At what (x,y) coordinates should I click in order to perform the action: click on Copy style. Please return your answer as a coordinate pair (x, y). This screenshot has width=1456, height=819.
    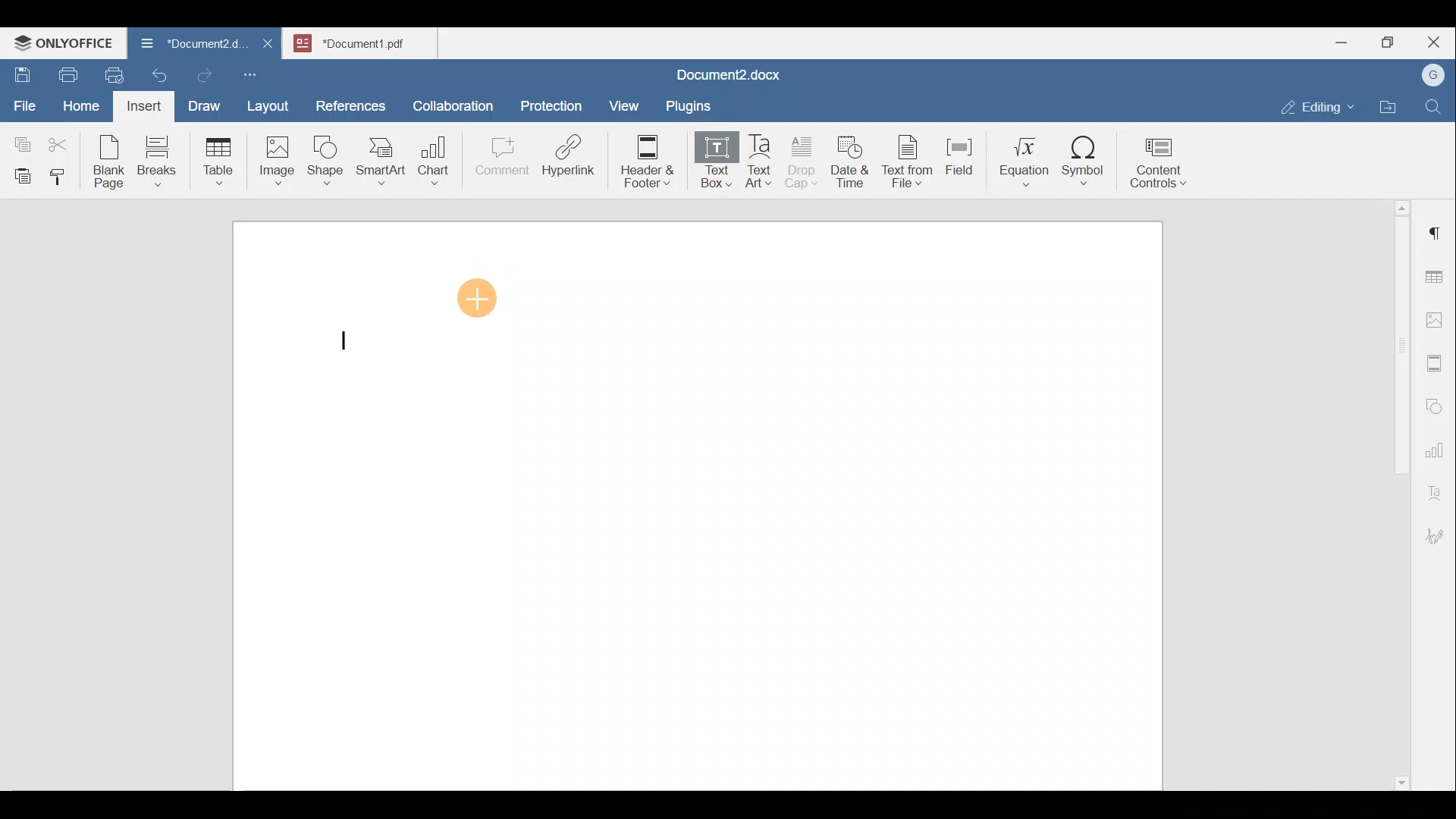
    Looking at the image, I should click on (63, 173).